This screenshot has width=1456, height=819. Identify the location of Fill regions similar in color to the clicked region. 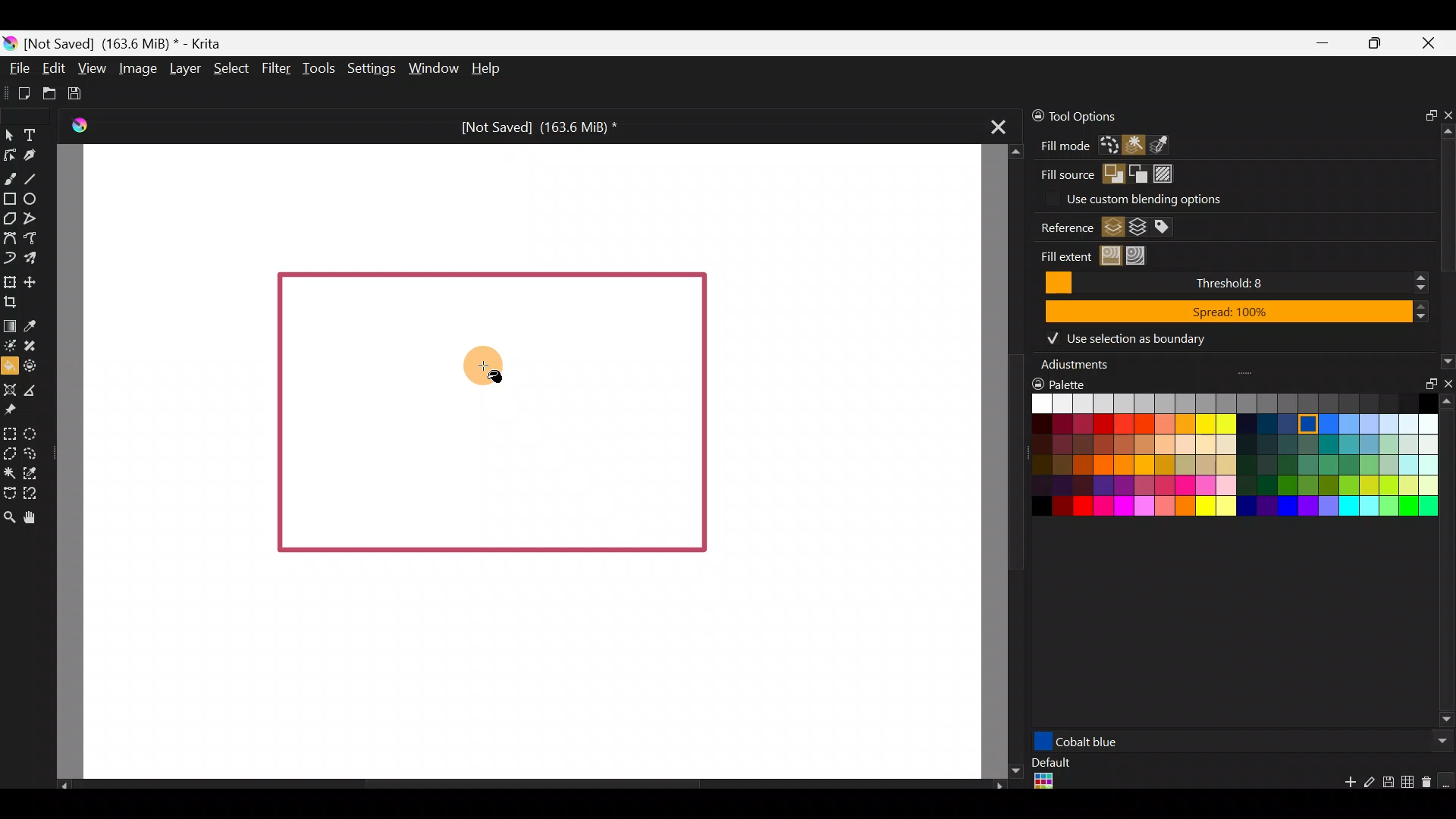
(1111, 256).